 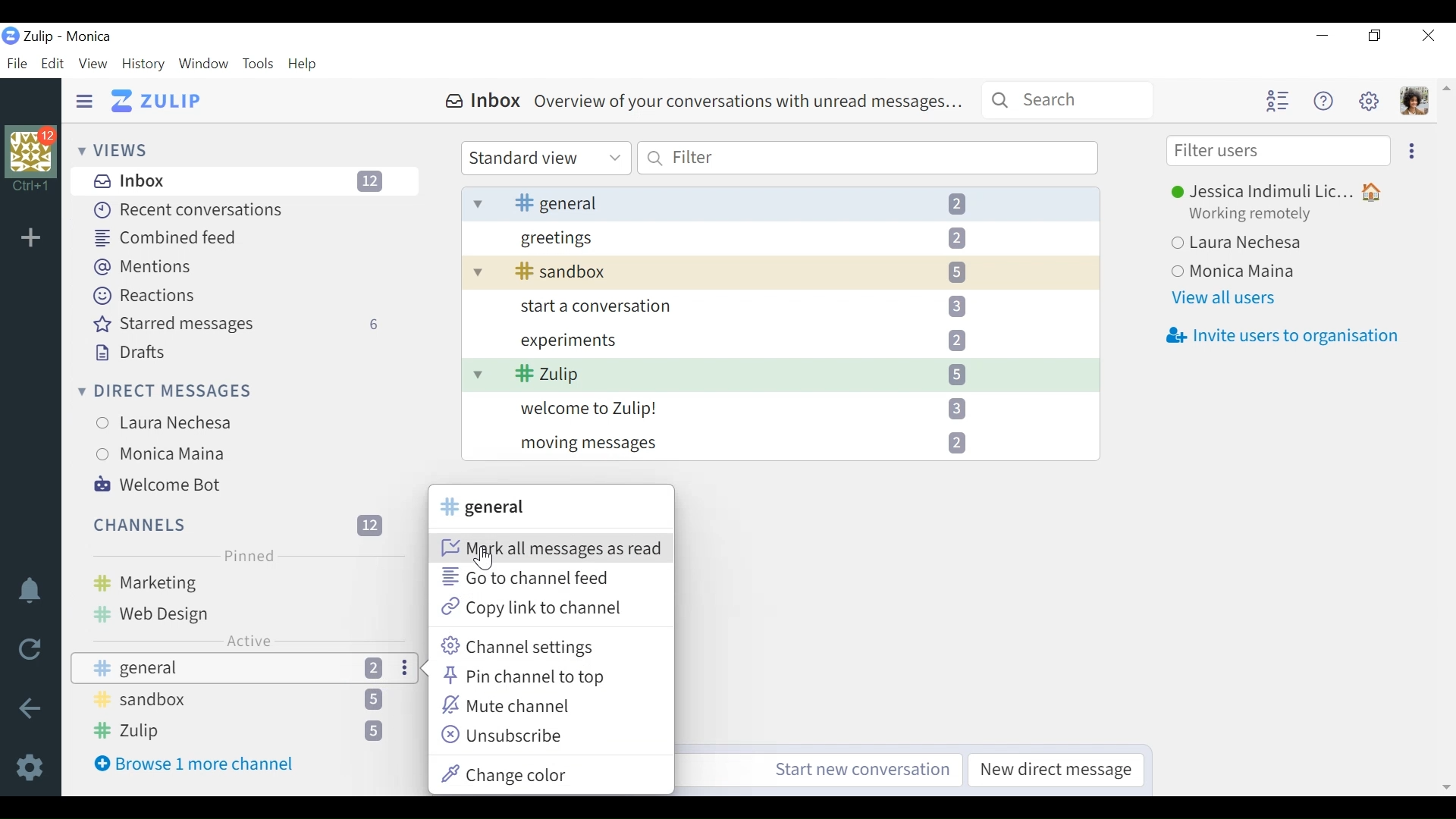 I want to click on Help, so click(x=303, y=65).